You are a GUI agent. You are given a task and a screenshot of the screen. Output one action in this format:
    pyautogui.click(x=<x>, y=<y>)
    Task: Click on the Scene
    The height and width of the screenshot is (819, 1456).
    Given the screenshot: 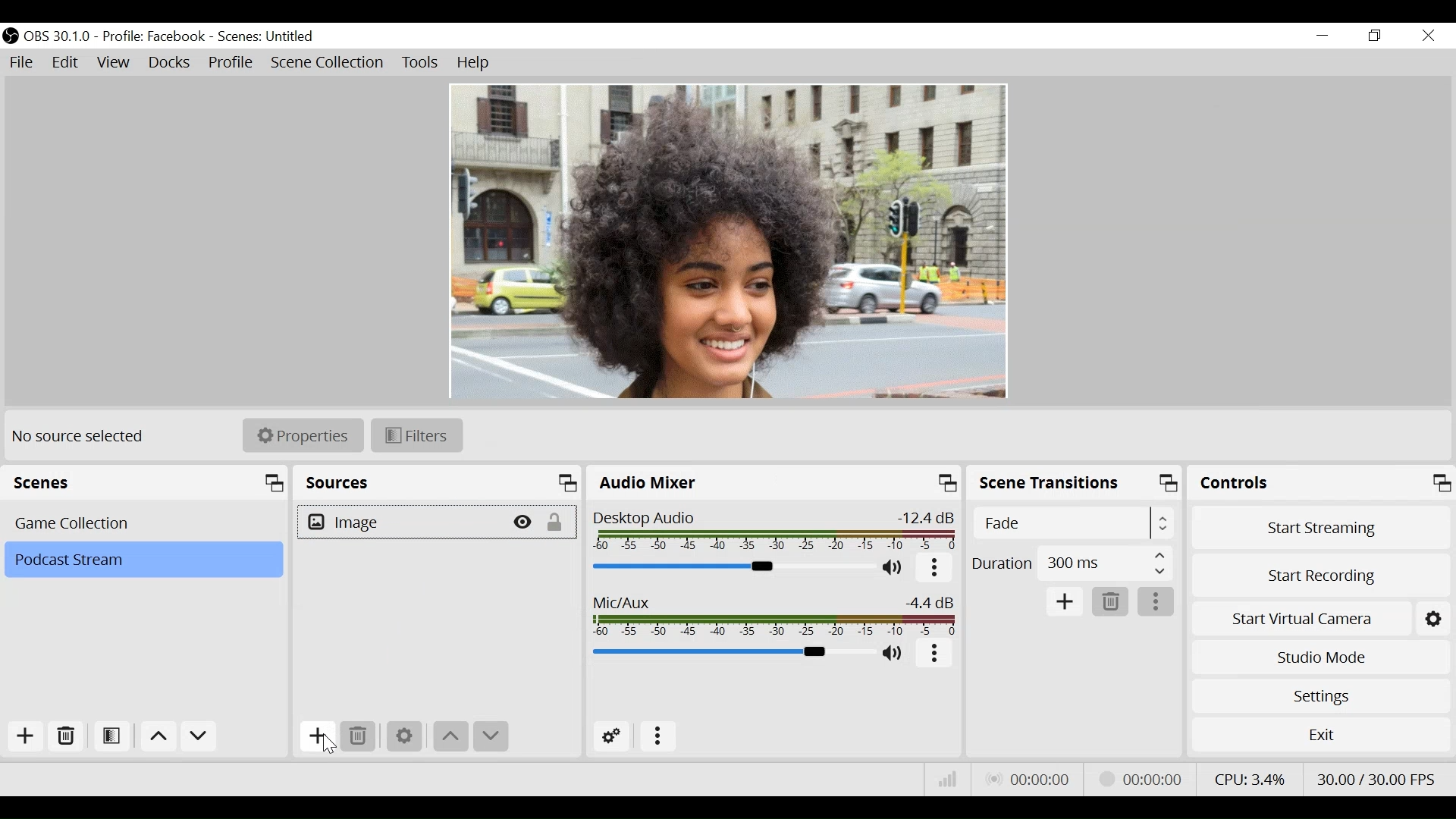 What is the action you would take?
    pyautogui.click(x=268, y=37)
    